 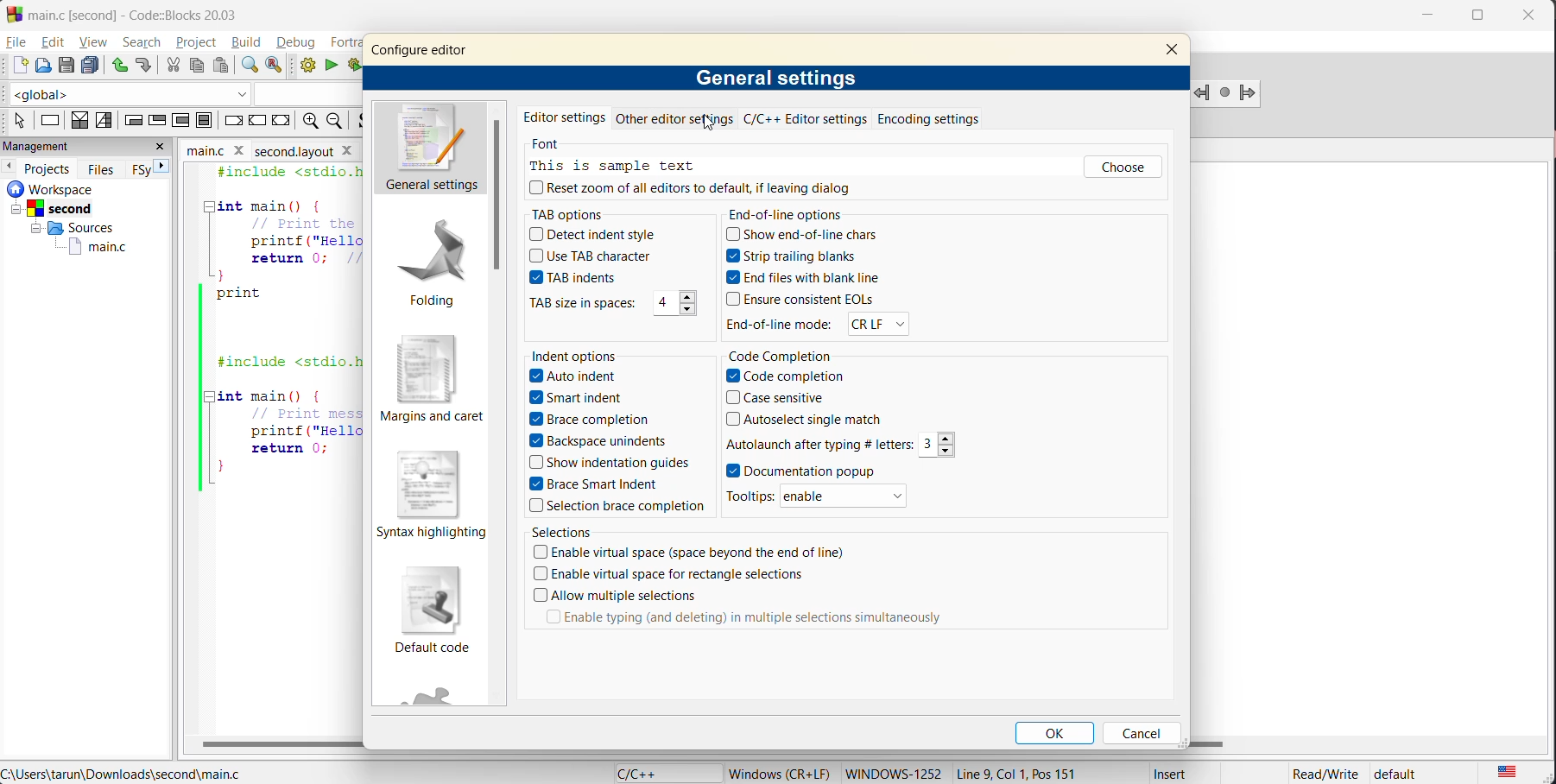 I want to click on margins and caret, so click(x=433, y=379).